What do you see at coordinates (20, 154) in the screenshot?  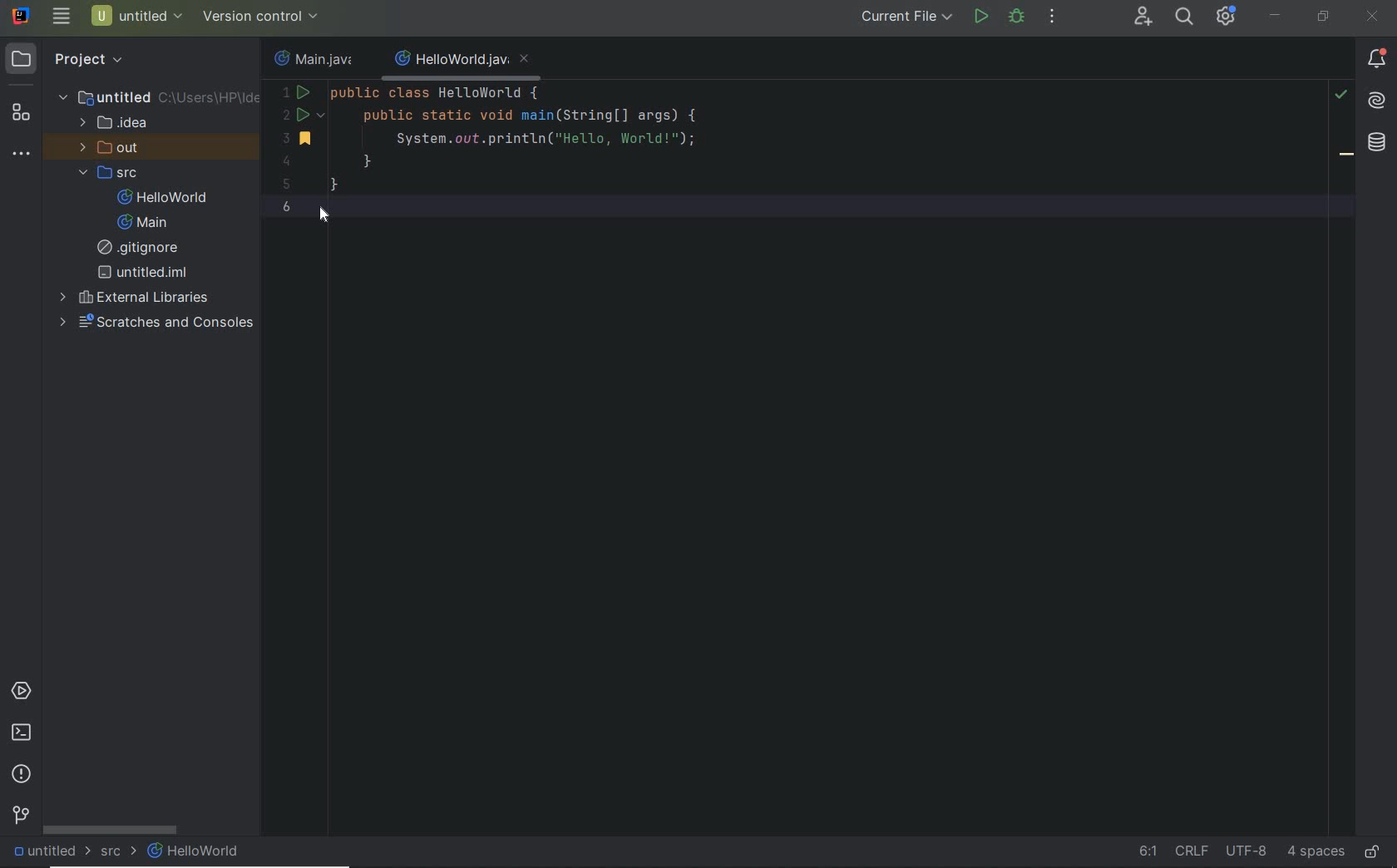 I see `more tool windows` at bounding box center [20, 154].